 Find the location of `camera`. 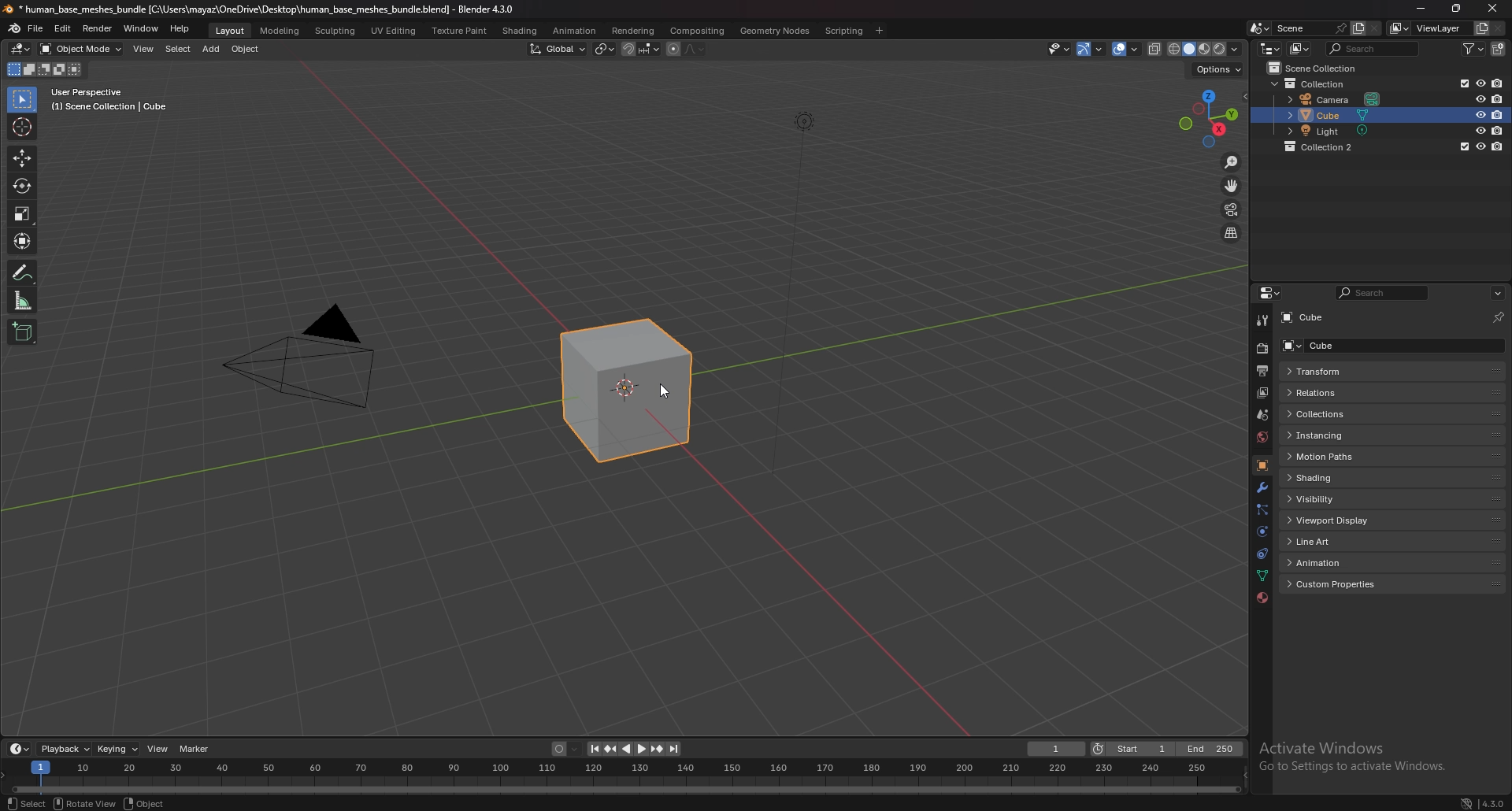

camera is located at coordinates (1339, 98).